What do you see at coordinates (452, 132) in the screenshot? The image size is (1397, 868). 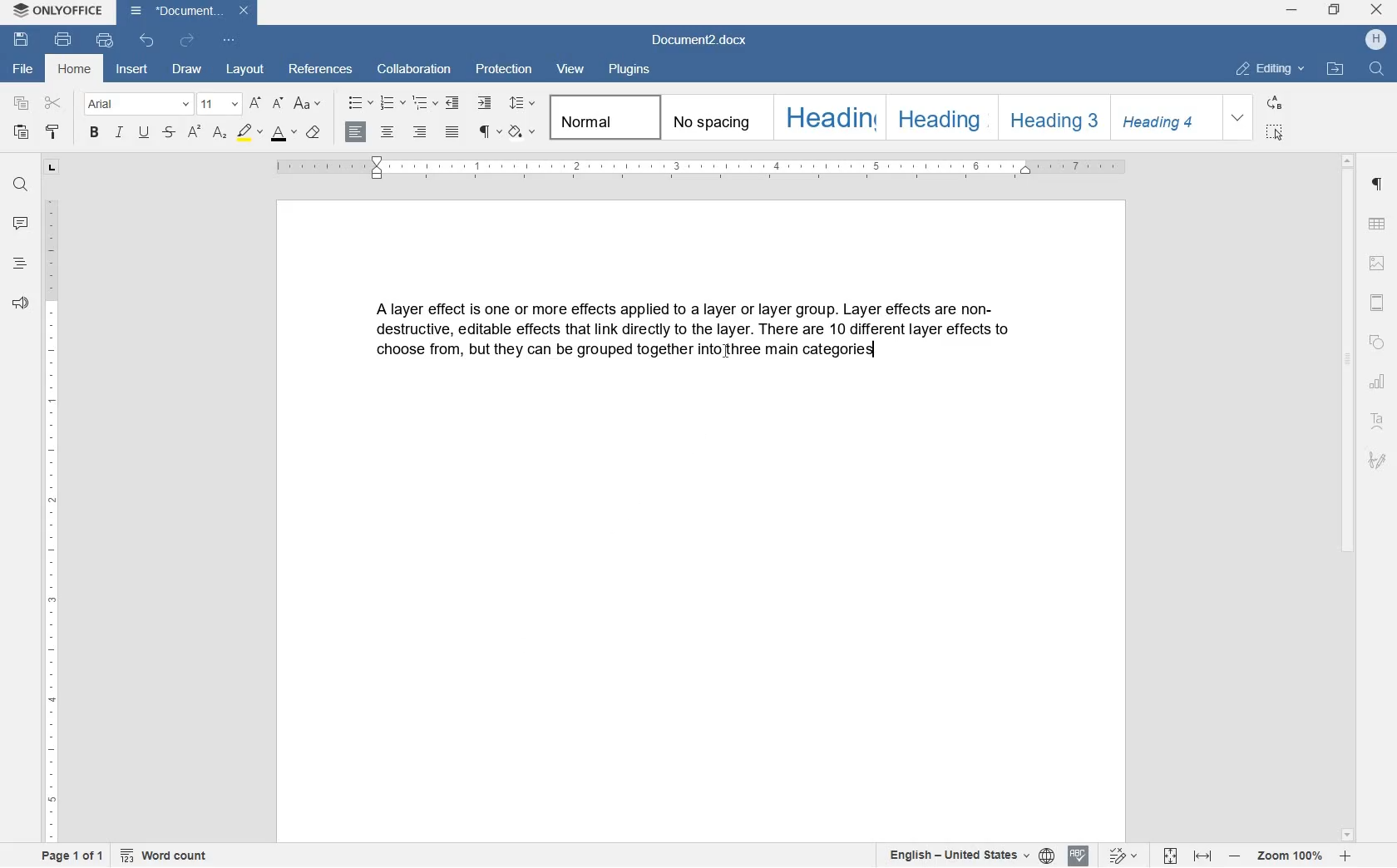 I see `justified` at bounding box center [452, 132].